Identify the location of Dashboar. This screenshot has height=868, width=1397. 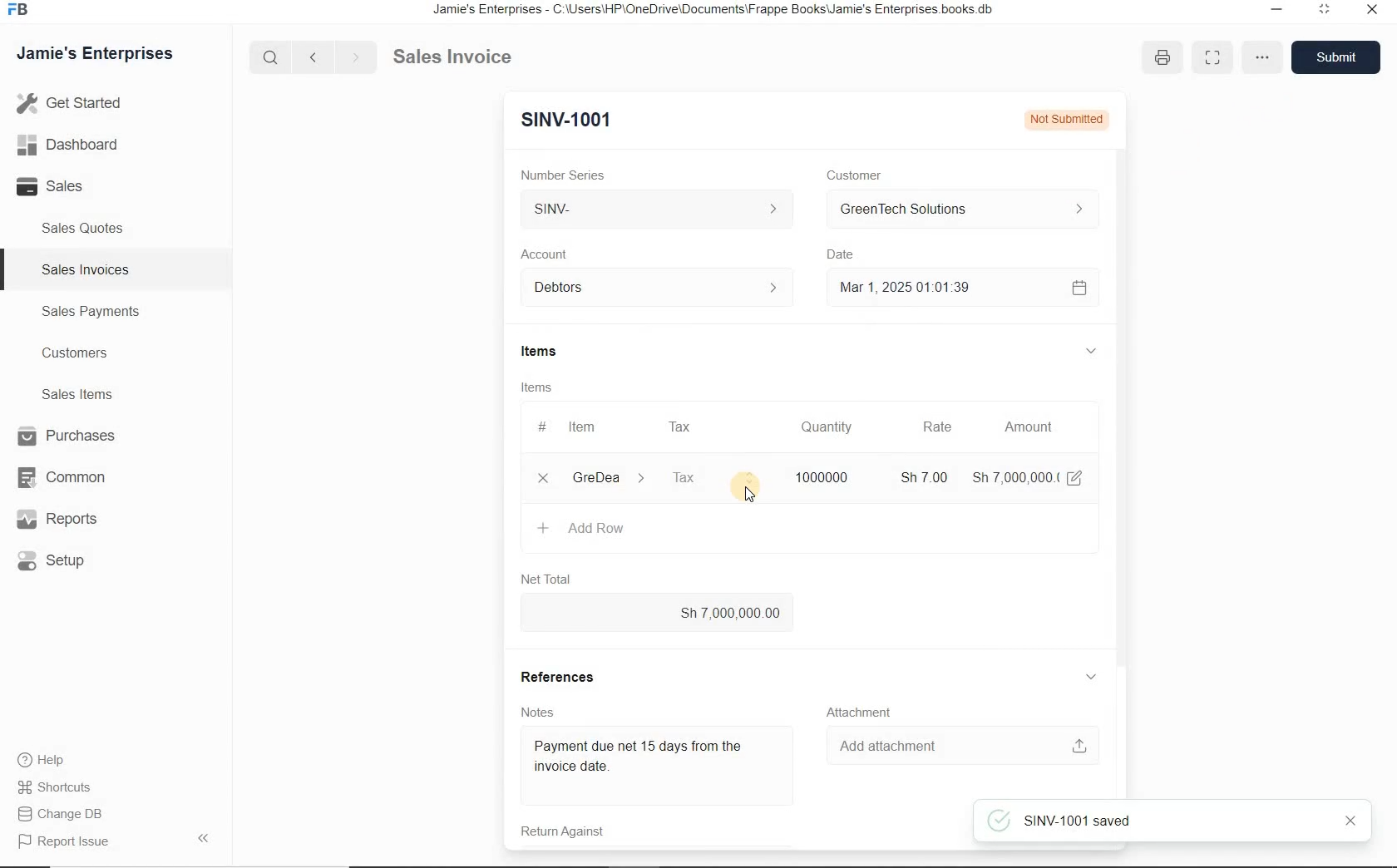
(68, 144).